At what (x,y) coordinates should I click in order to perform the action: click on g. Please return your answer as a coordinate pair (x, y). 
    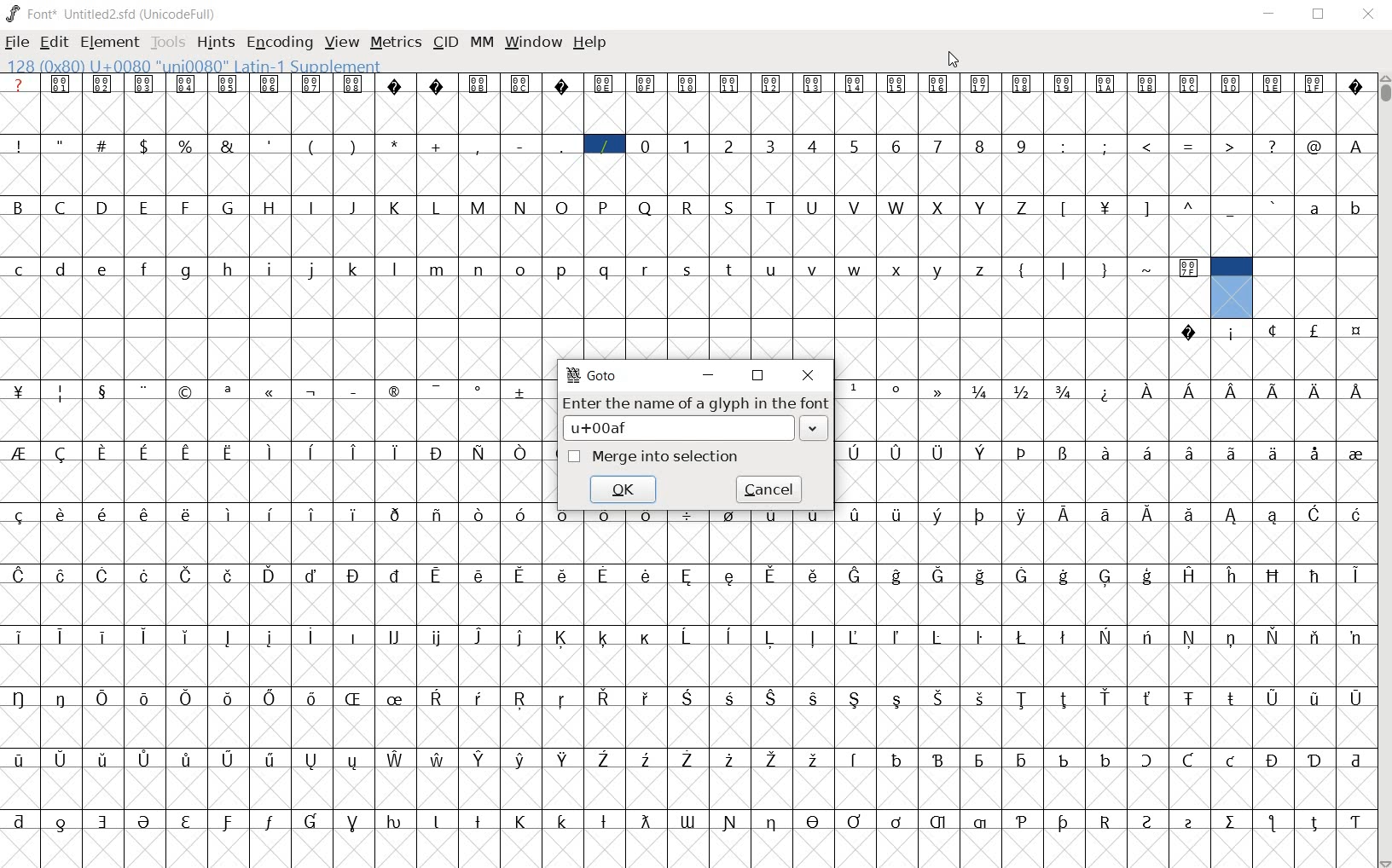
    Looking at the image, I should click on (188, 269).